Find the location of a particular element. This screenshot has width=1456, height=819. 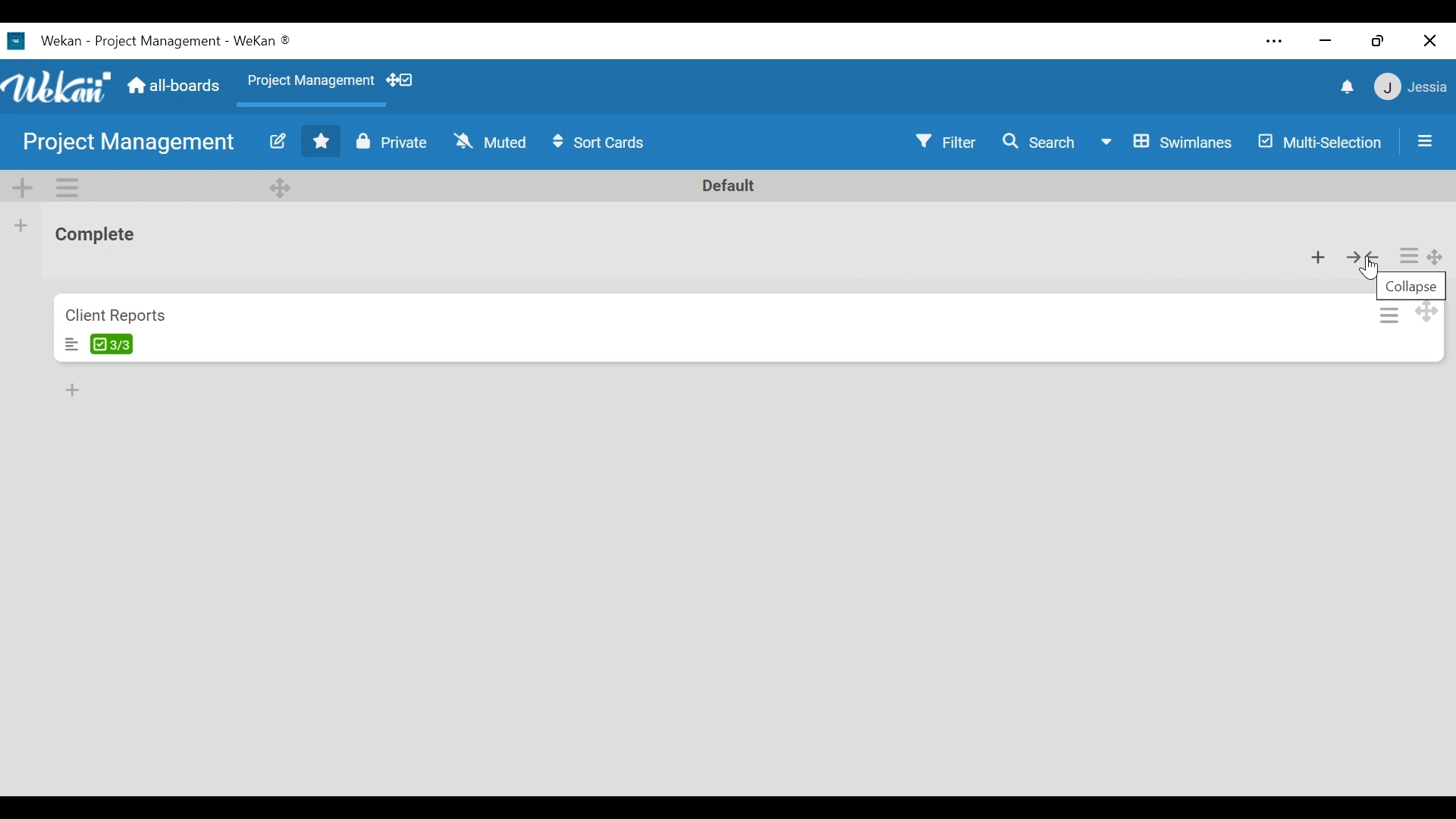

Multi-Selection is located at coordinates (1320, 143).